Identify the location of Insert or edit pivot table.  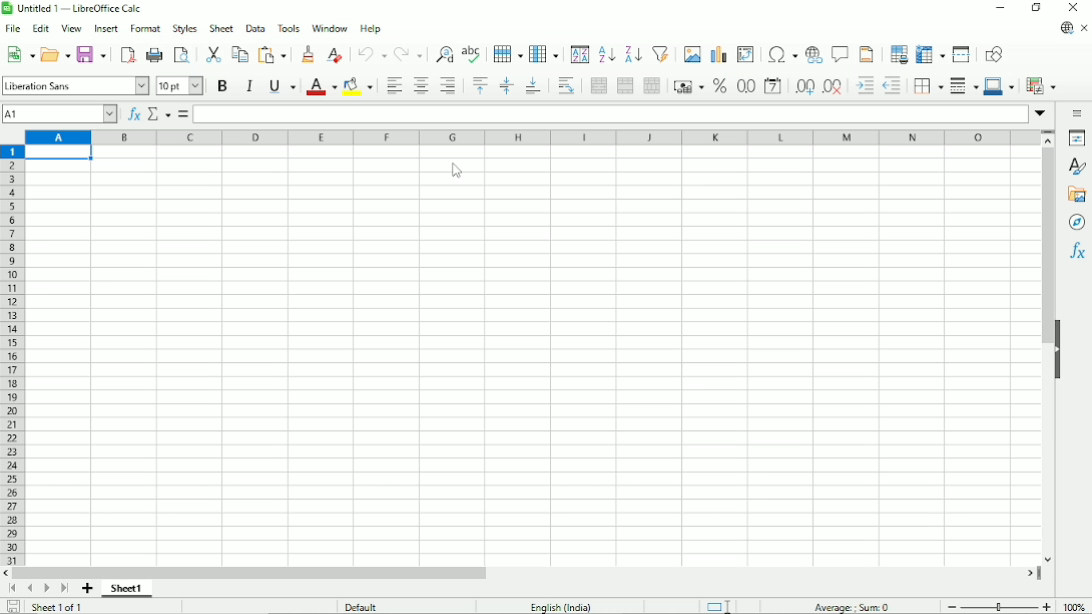
(745, 54).